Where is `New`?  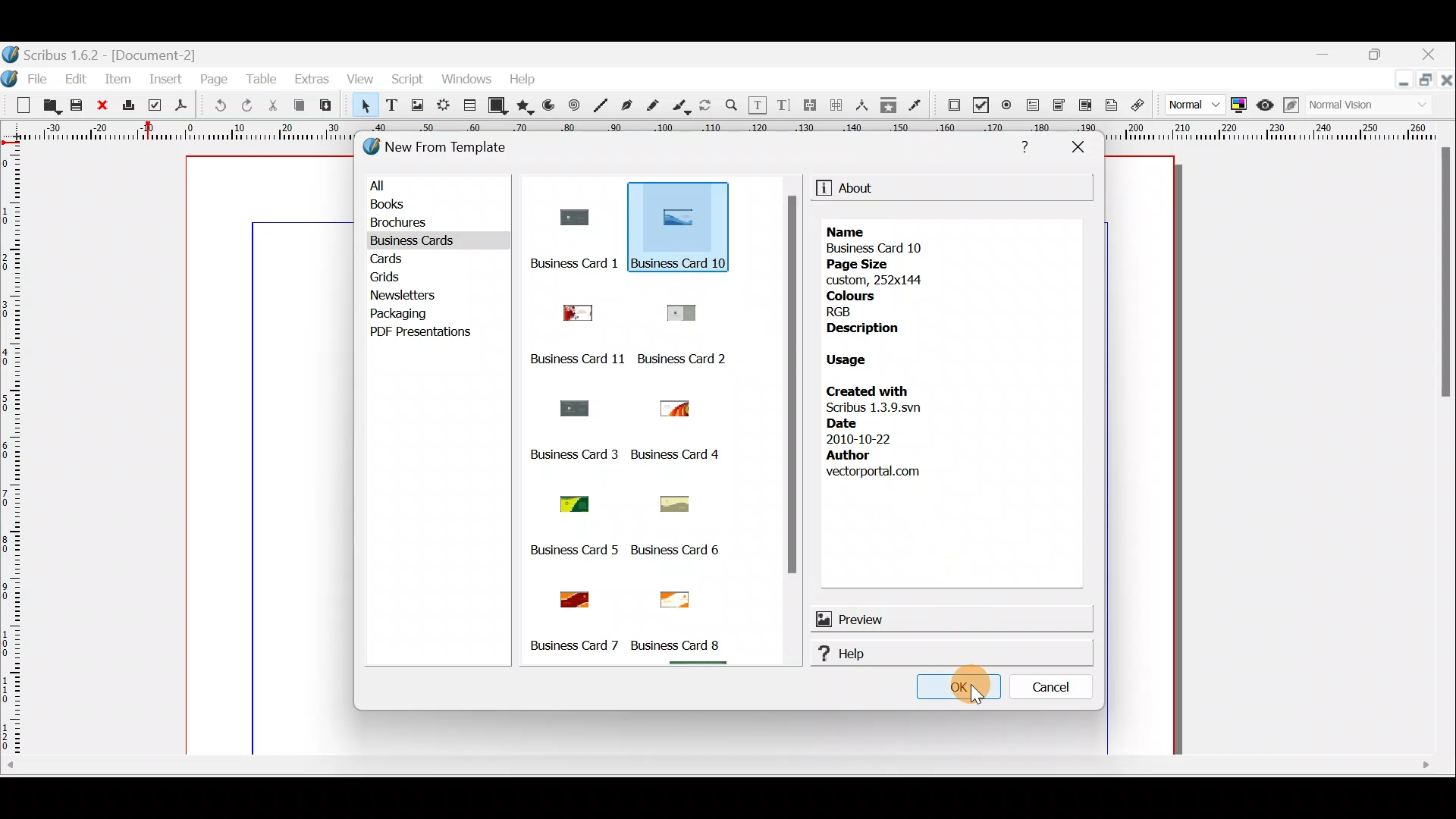
New is located at coordinates (18, 106).